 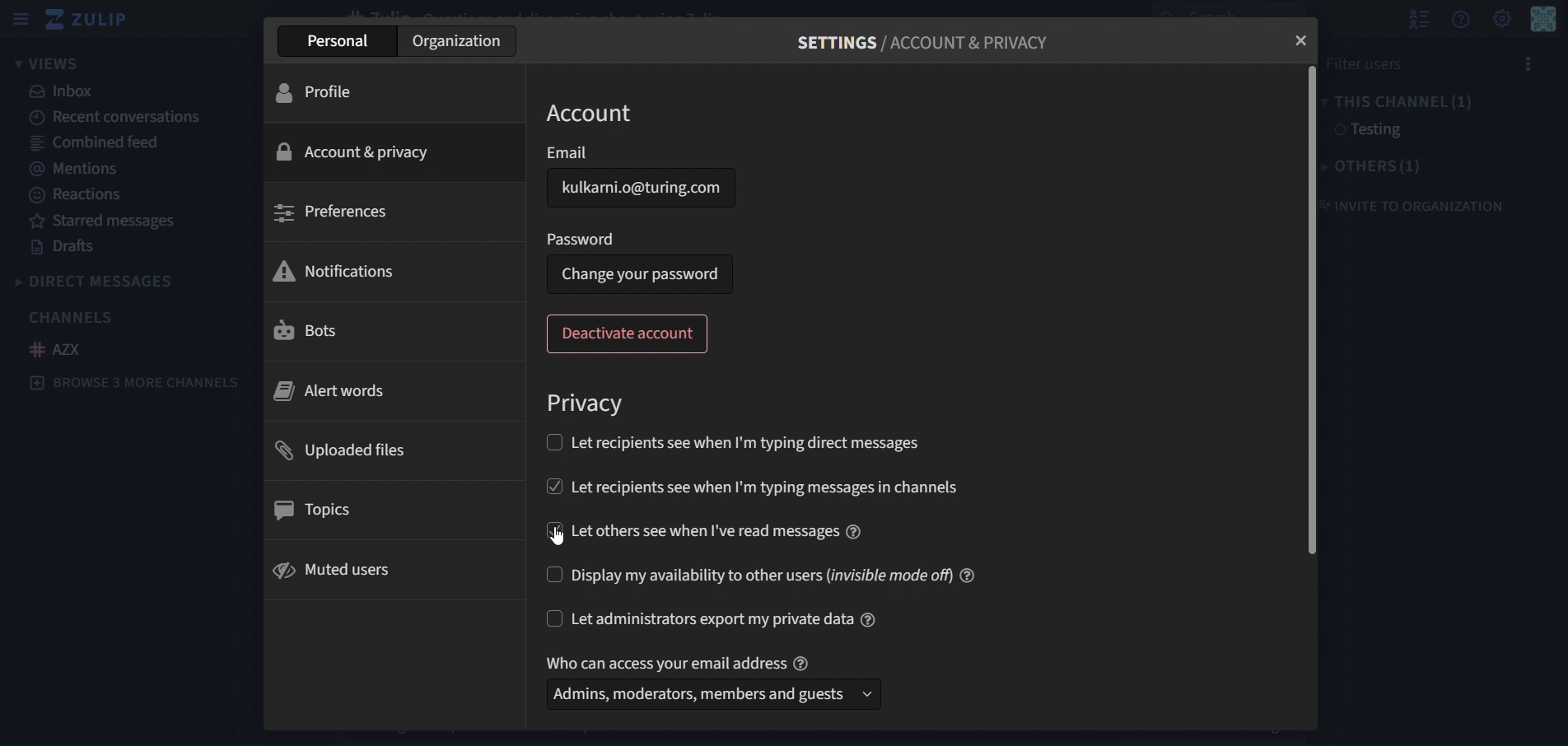 I want to click on personal, so click(x=336, y=44).